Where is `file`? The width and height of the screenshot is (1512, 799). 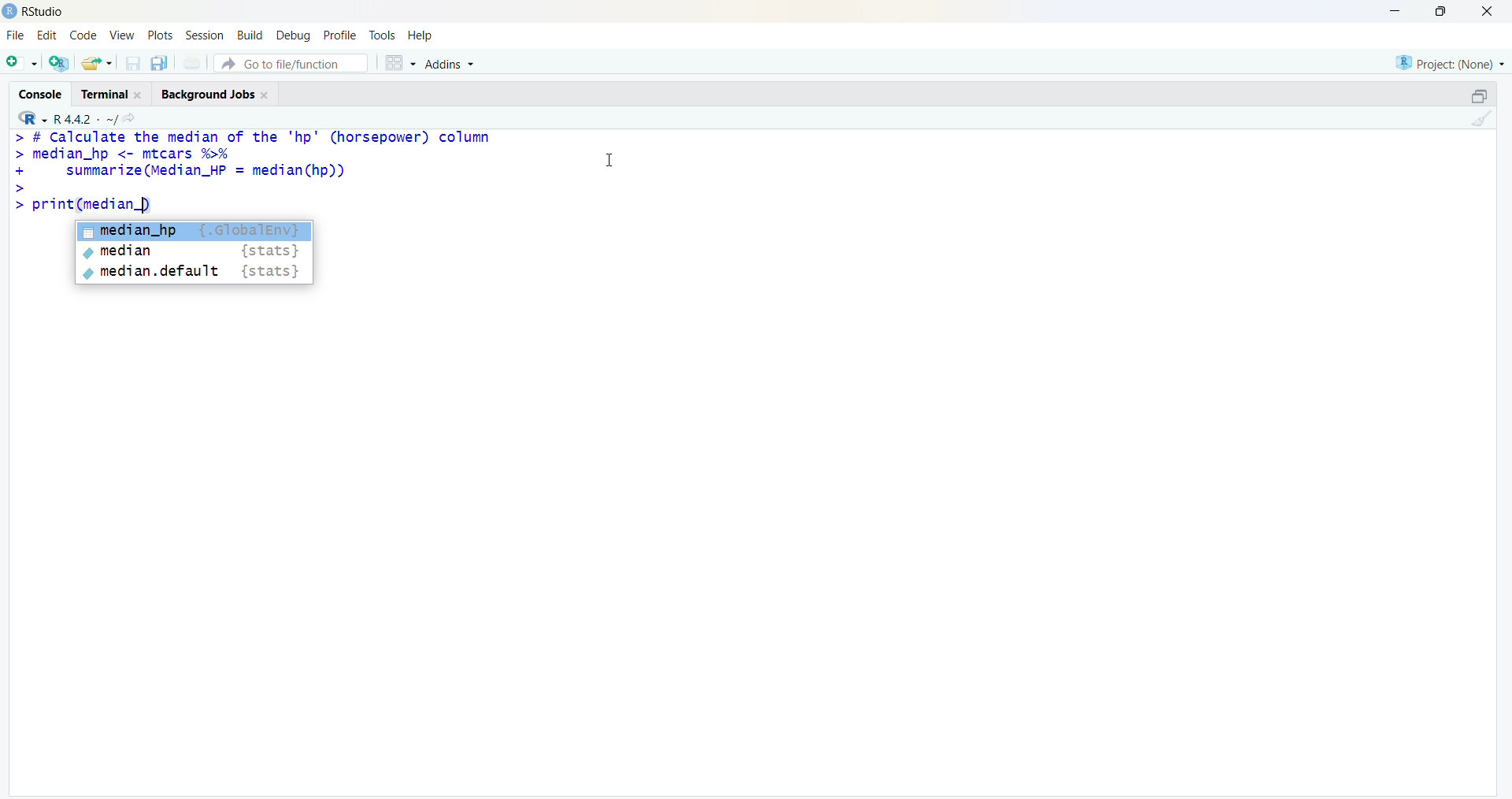 file is located at coordinates (16, 34).